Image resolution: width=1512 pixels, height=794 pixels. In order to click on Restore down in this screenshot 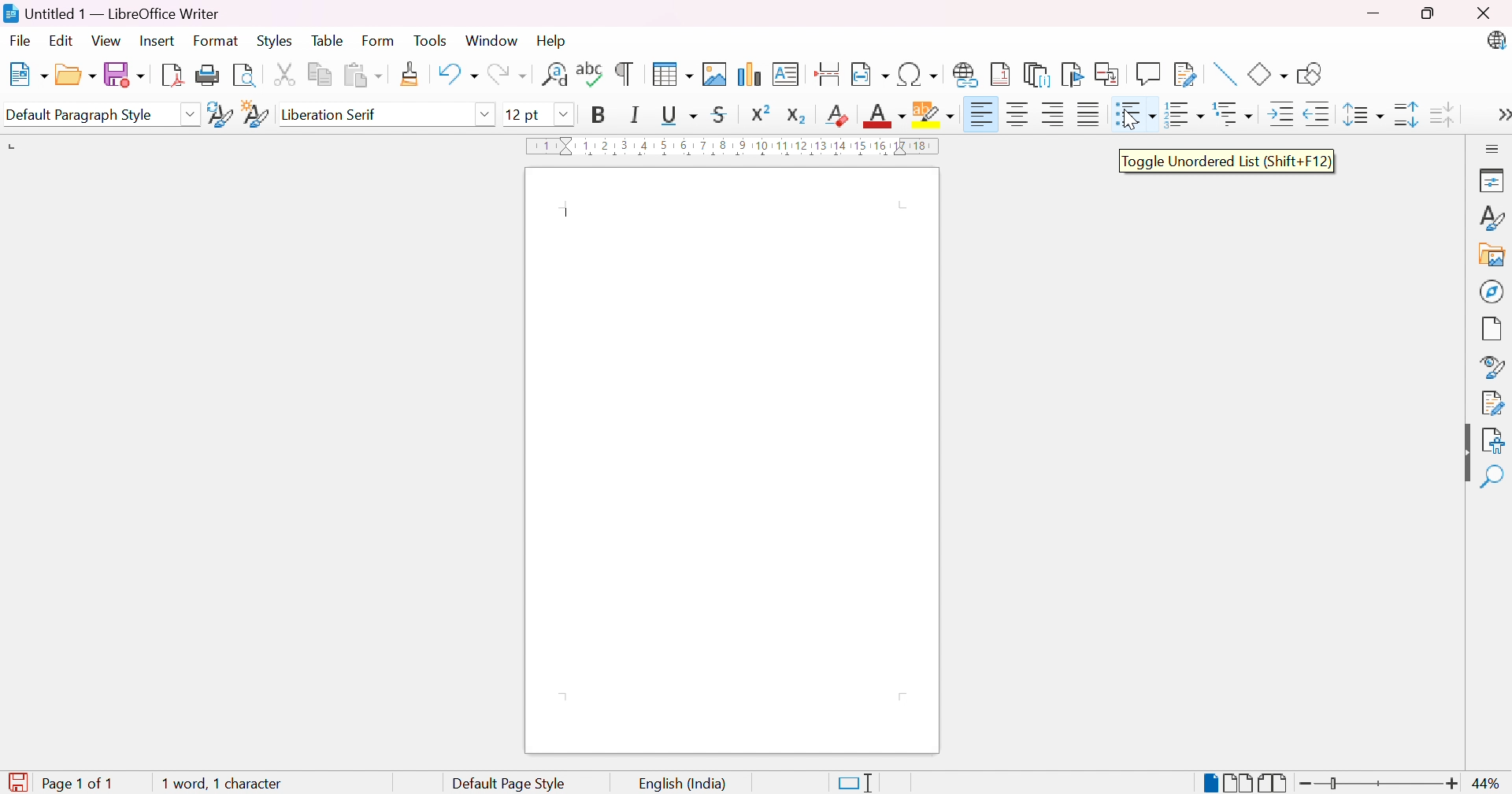, I will do `click(1430, 13)`.